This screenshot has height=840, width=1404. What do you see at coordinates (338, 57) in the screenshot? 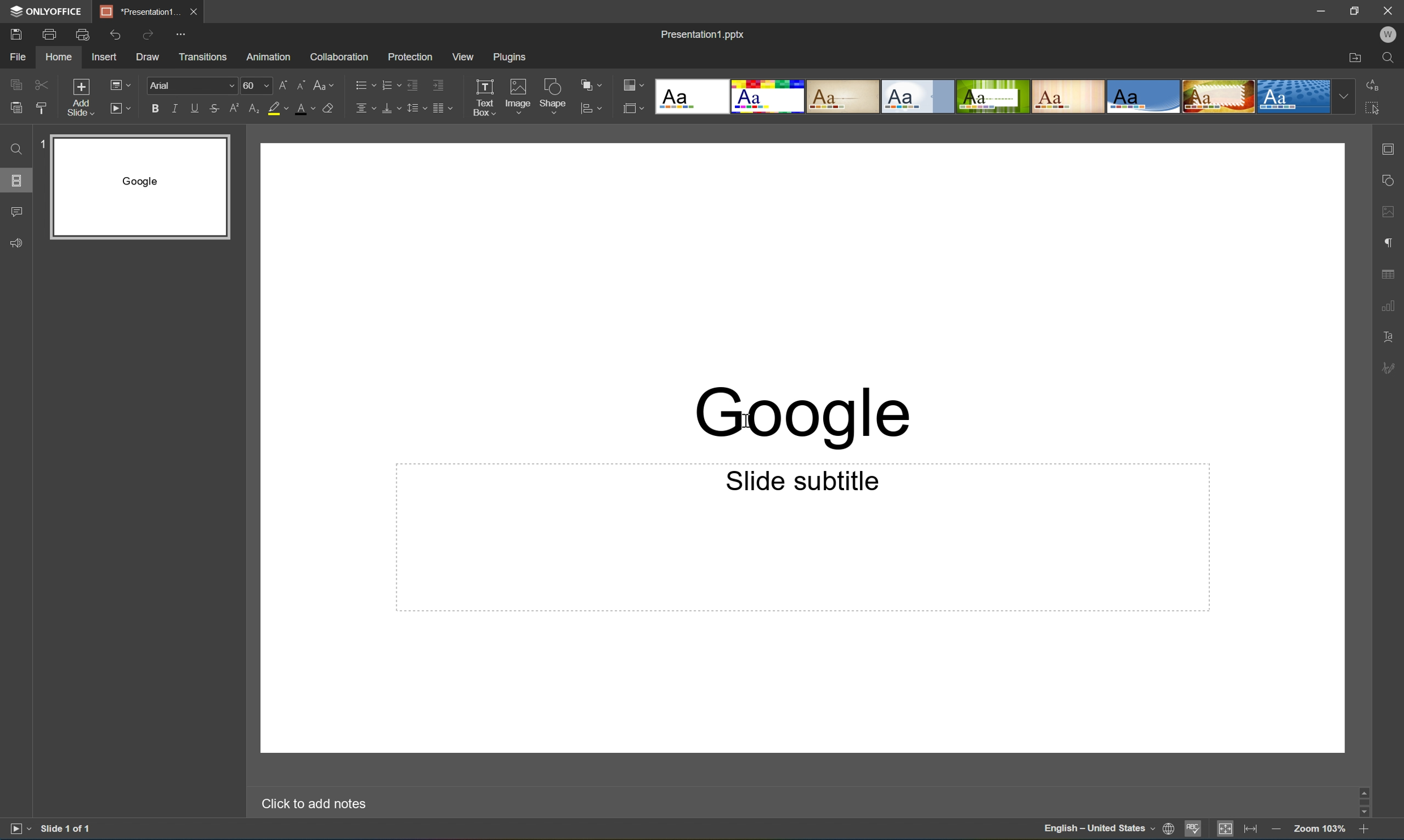
I see `Collaboration` at bounding box center [338, 57].